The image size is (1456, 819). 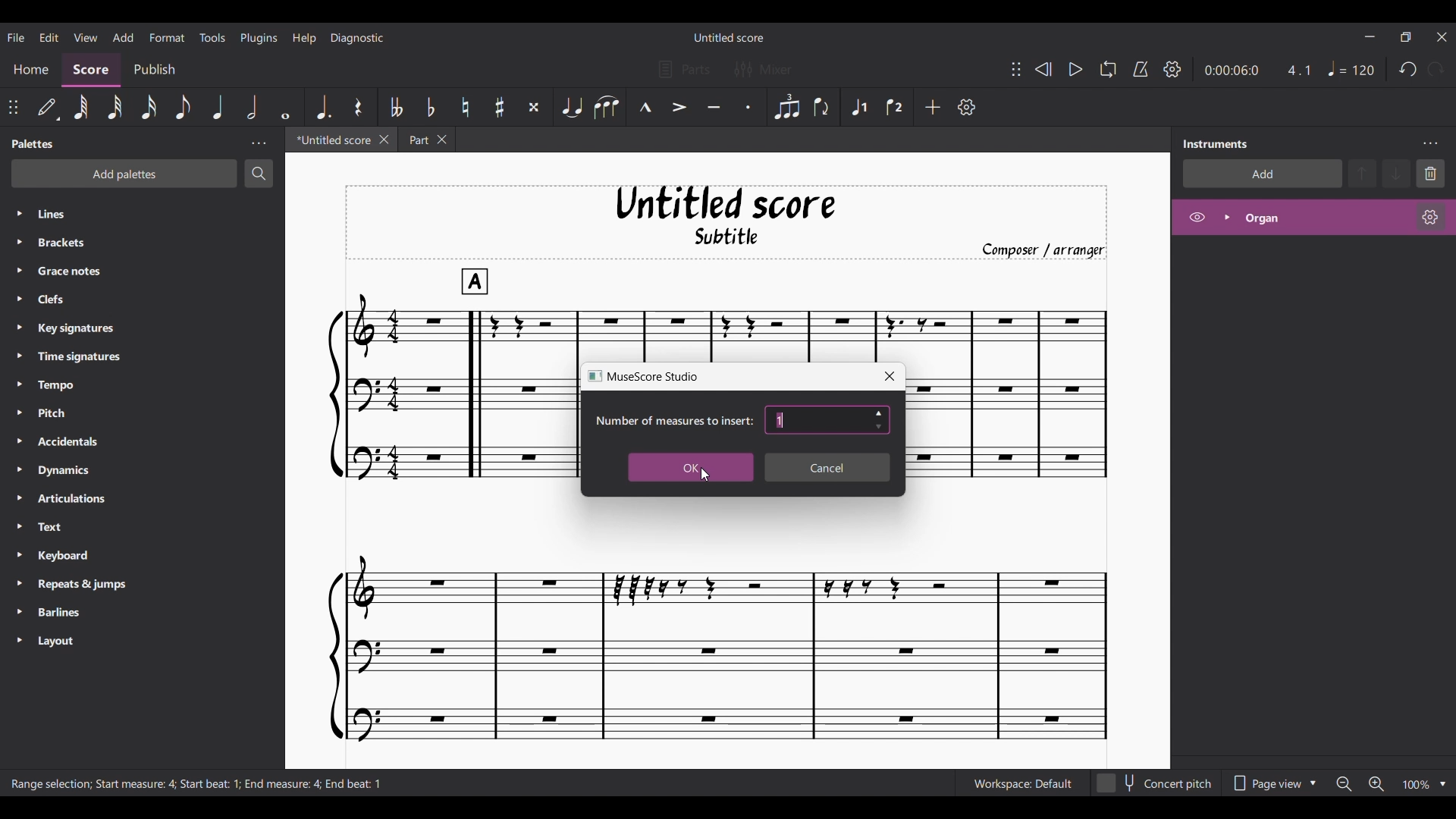 I want to click on Quarter note, so click(x=218, y=107).